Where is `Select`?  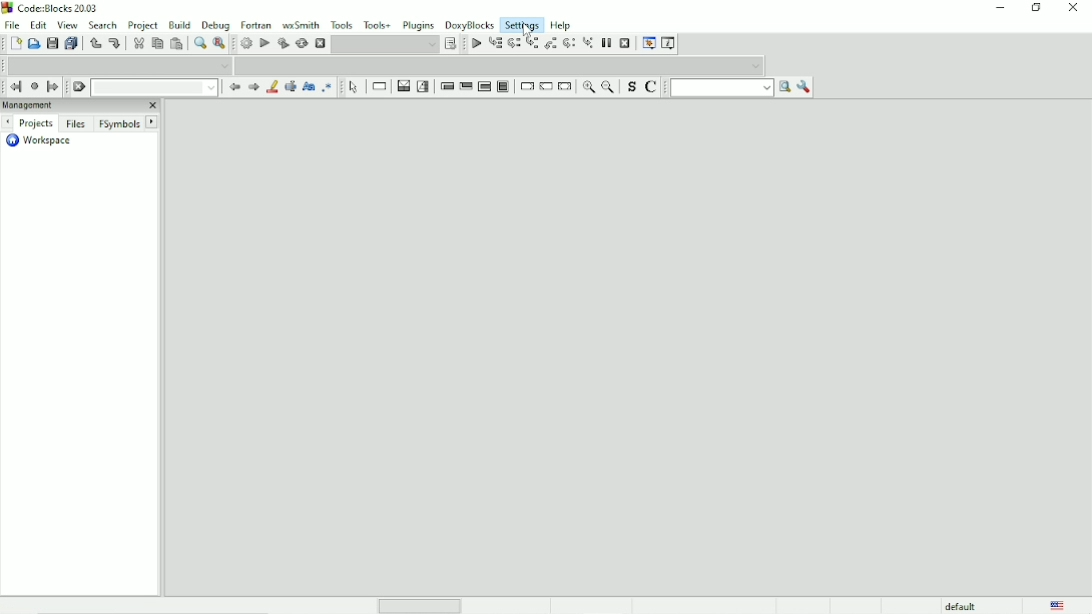 Select is located at coordinates (355, 88).